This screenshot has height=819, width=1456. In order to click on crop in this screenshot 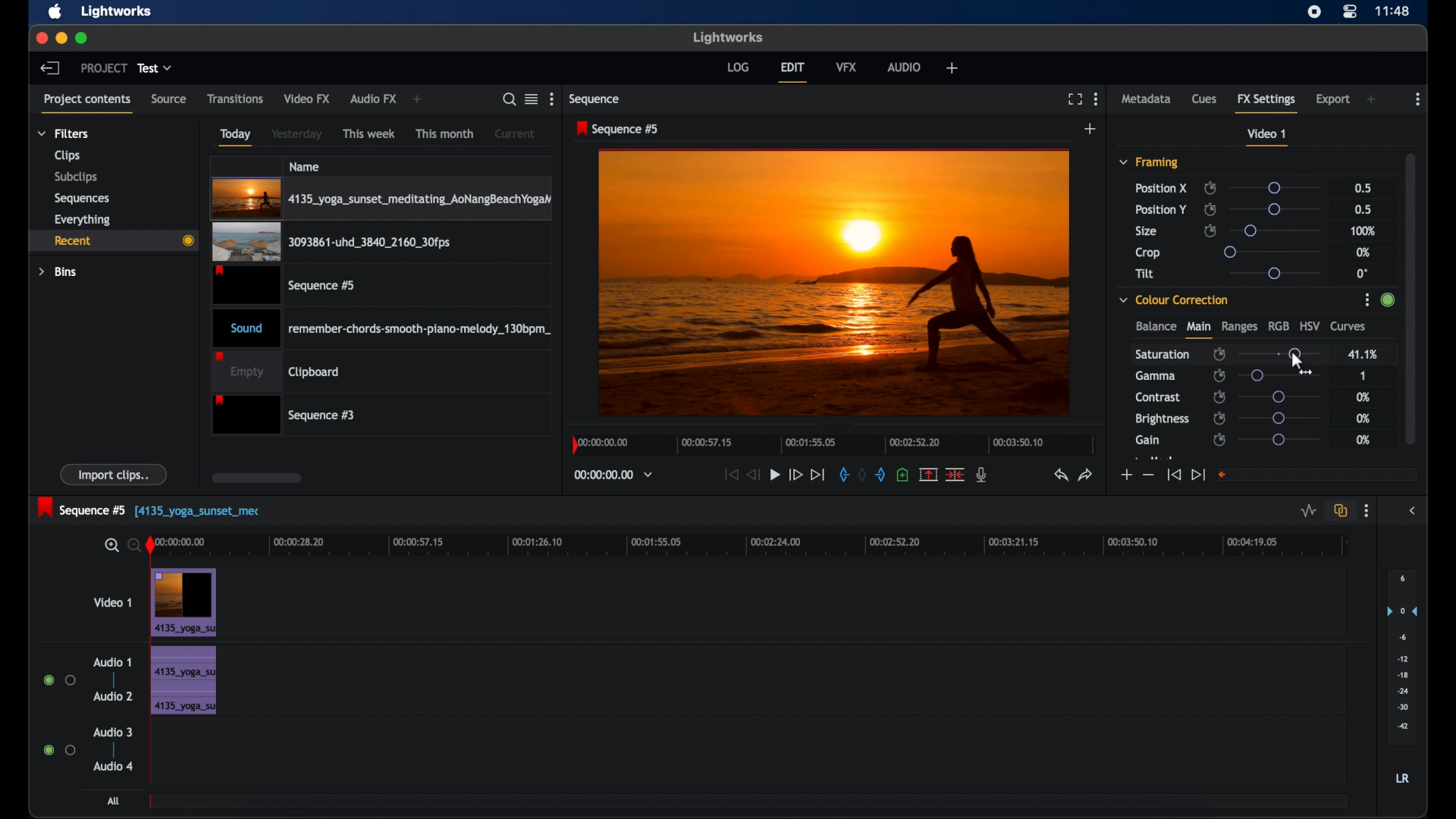, I will do `click(1148, 253)`.